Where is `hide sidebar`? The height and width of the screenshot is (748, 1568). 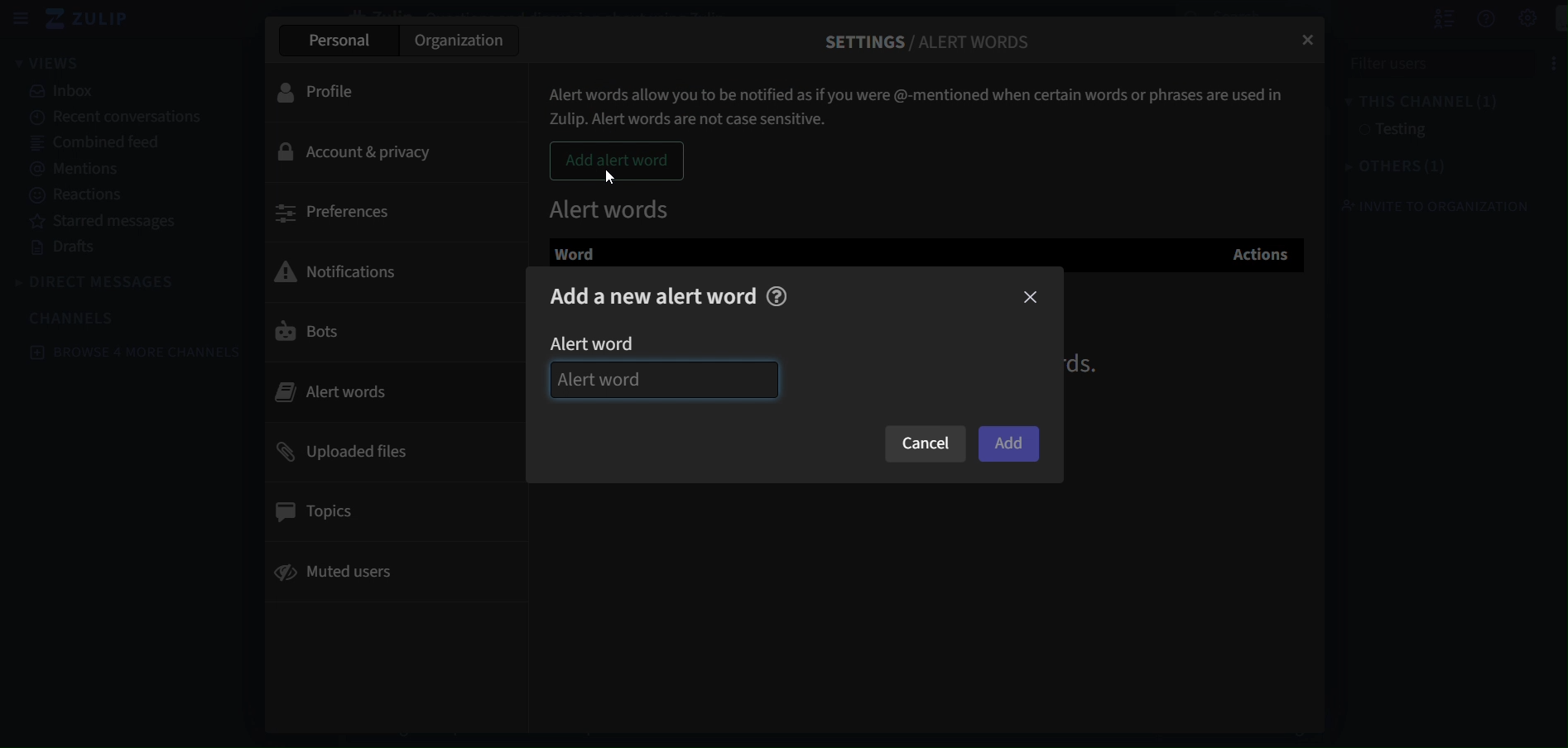
hide sidebar is located at coordinates (22, 21).